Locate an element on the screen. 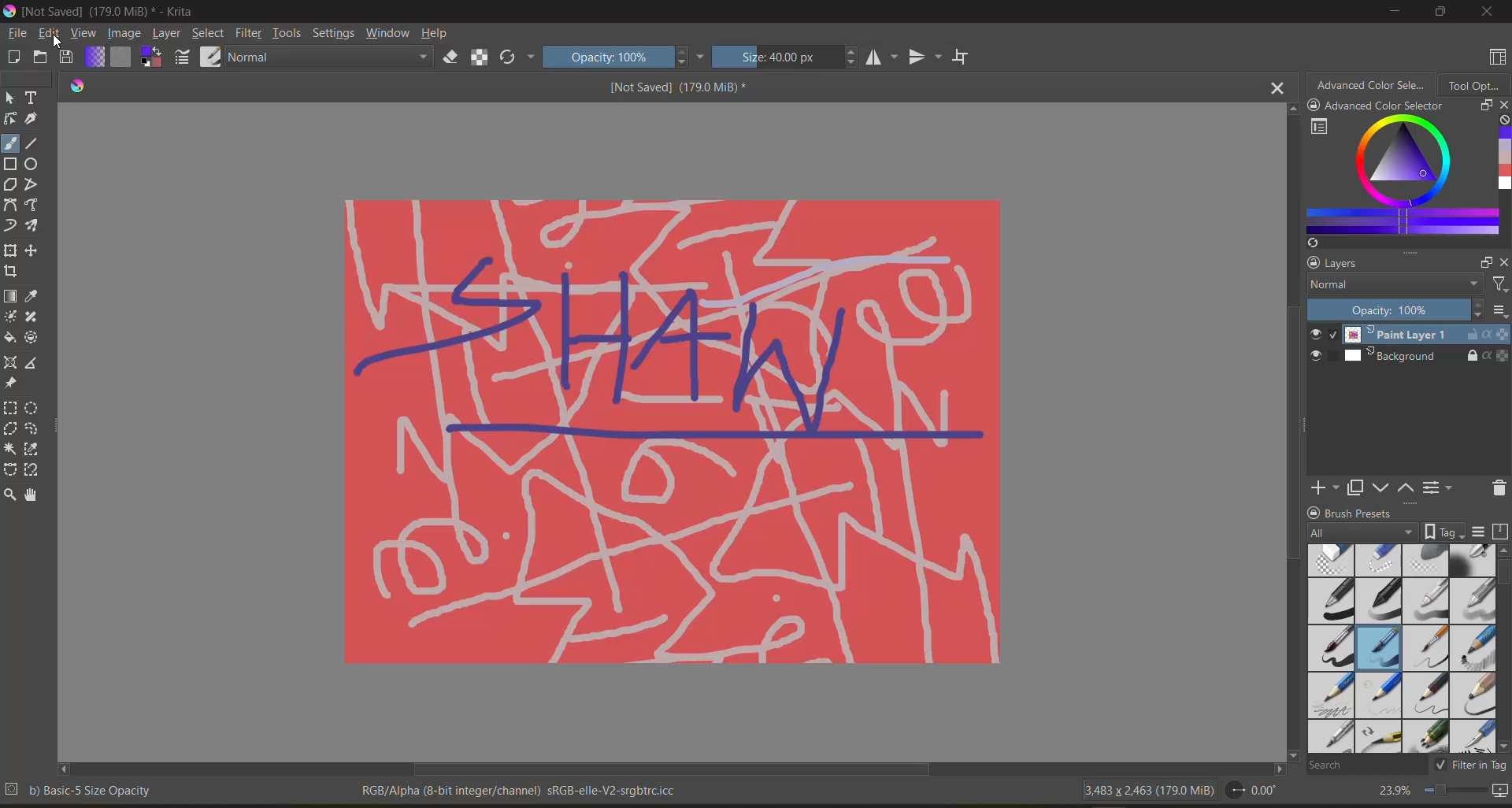  brush presets is located at coordinates (1399, 650).